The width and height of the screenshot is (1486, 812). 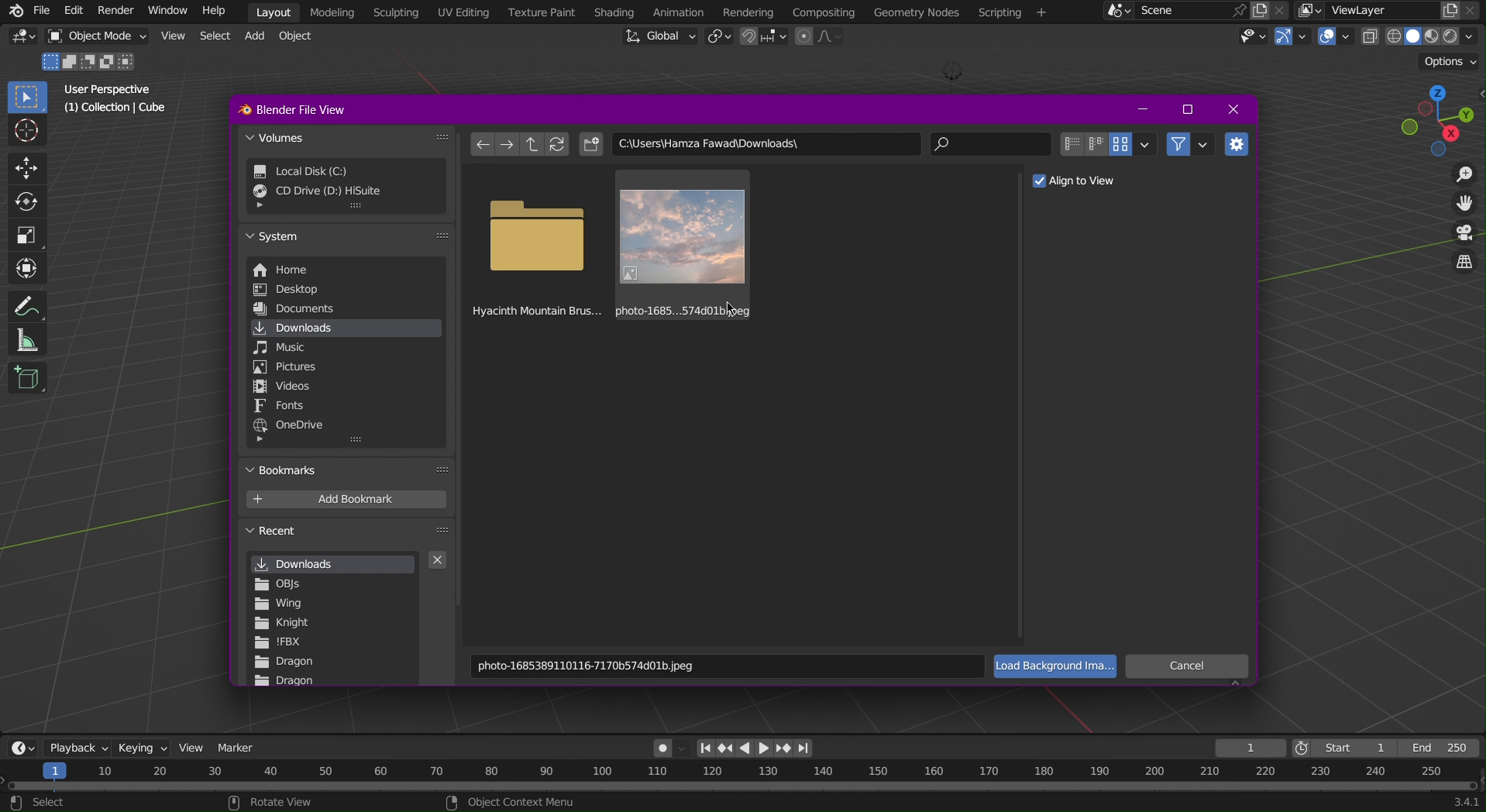 I want to click on Large Tiles, so click(x=1132, y=143).